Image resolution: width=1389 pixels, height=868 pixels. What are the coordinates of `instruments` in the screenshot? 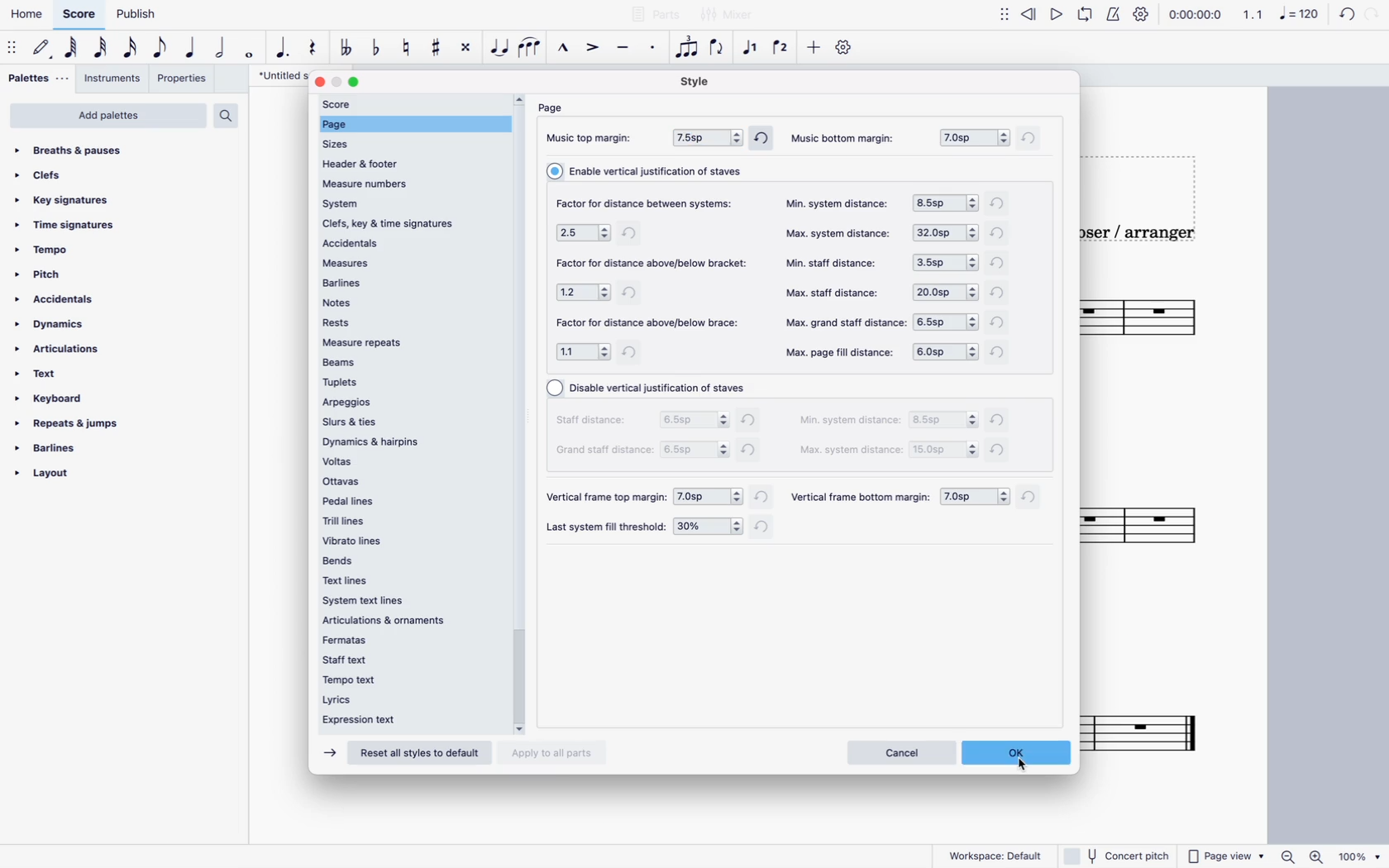 It's located at (114, 79).